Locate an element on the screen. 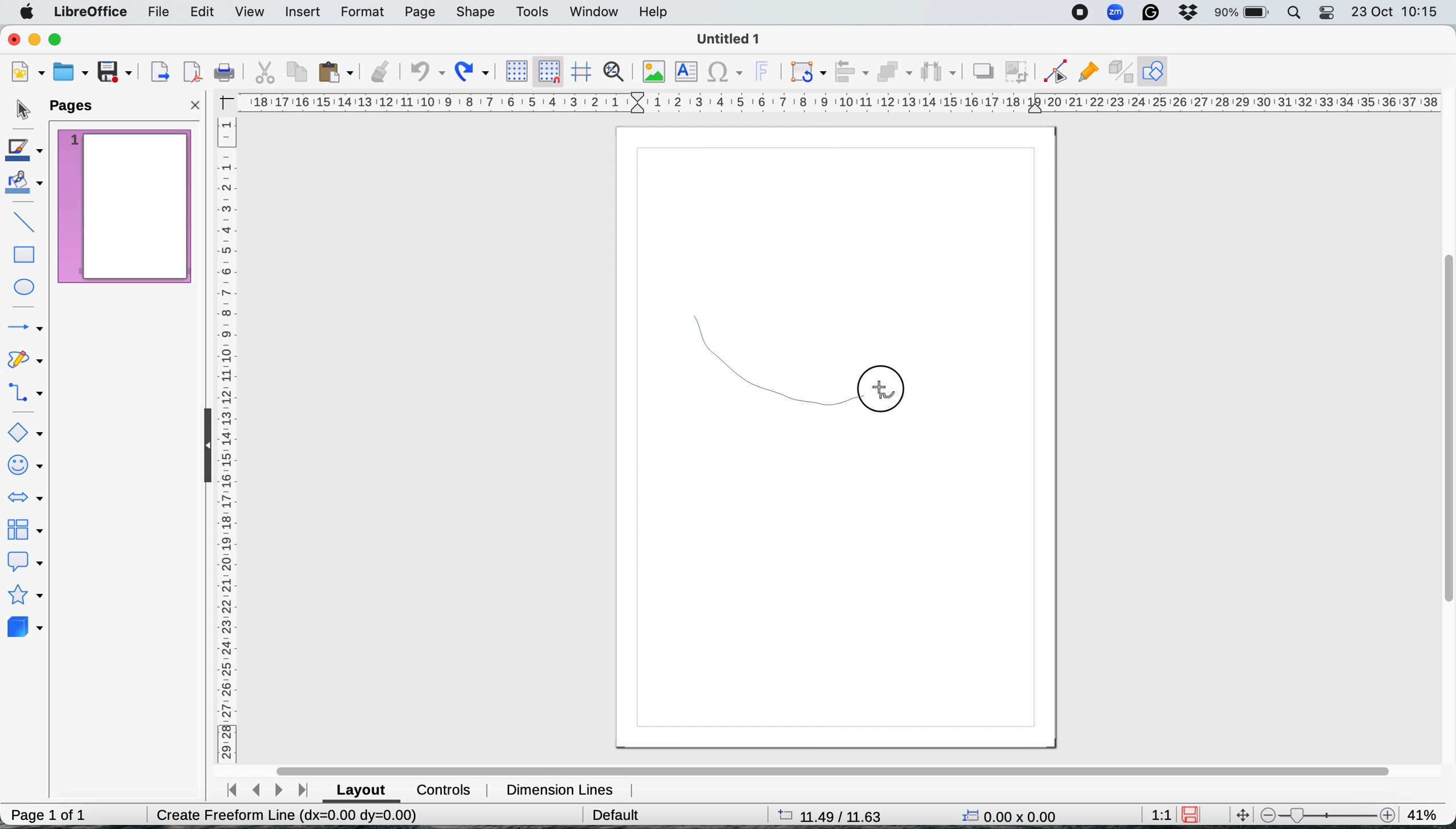 This screenshot has width=1456, height=829. cursor is located at coordinates (888, 393).